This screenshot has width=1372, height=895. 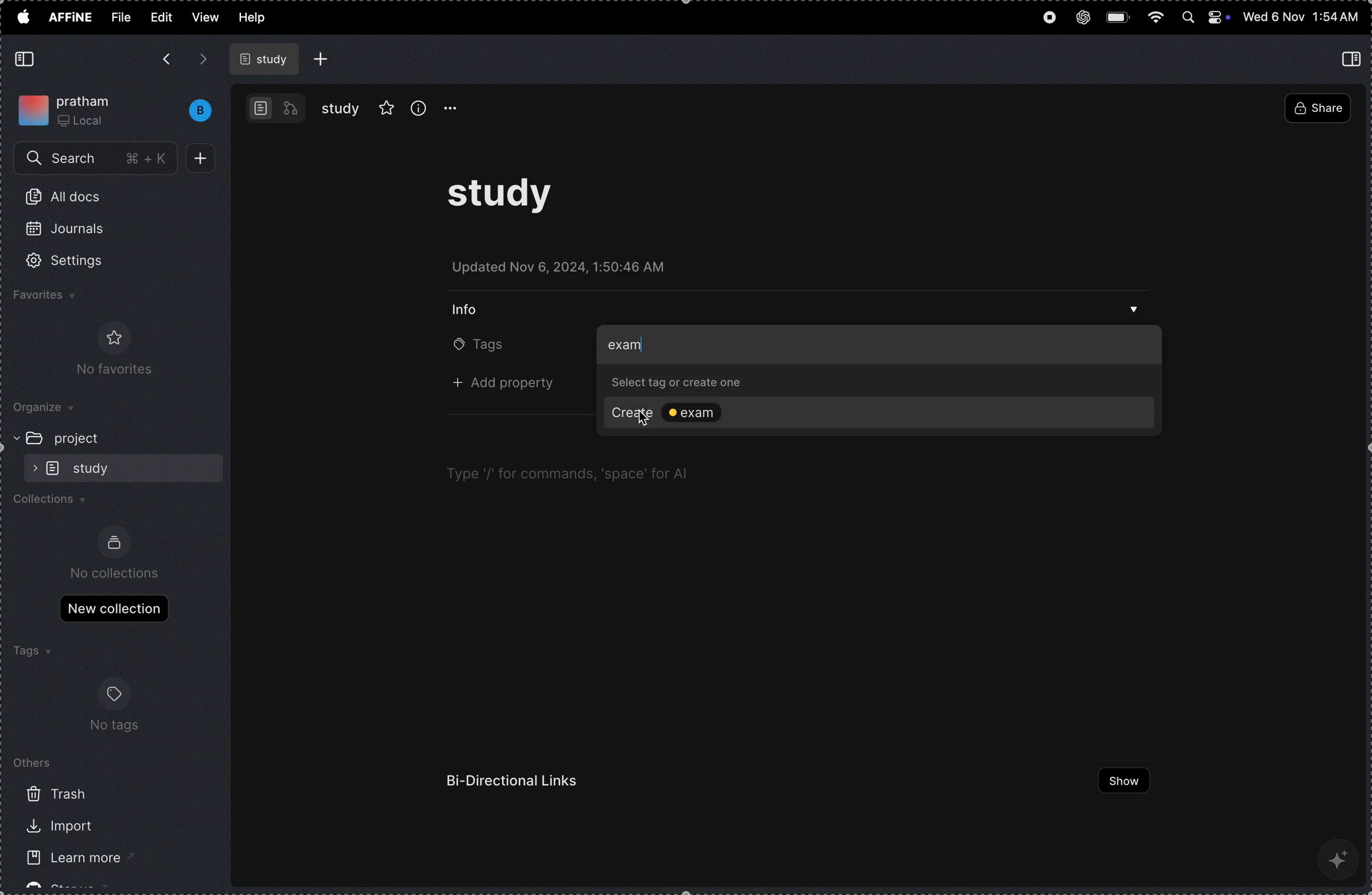 I want to click on Type '/' for commands, ‘space’ for Al, so click(x=566, y=474).